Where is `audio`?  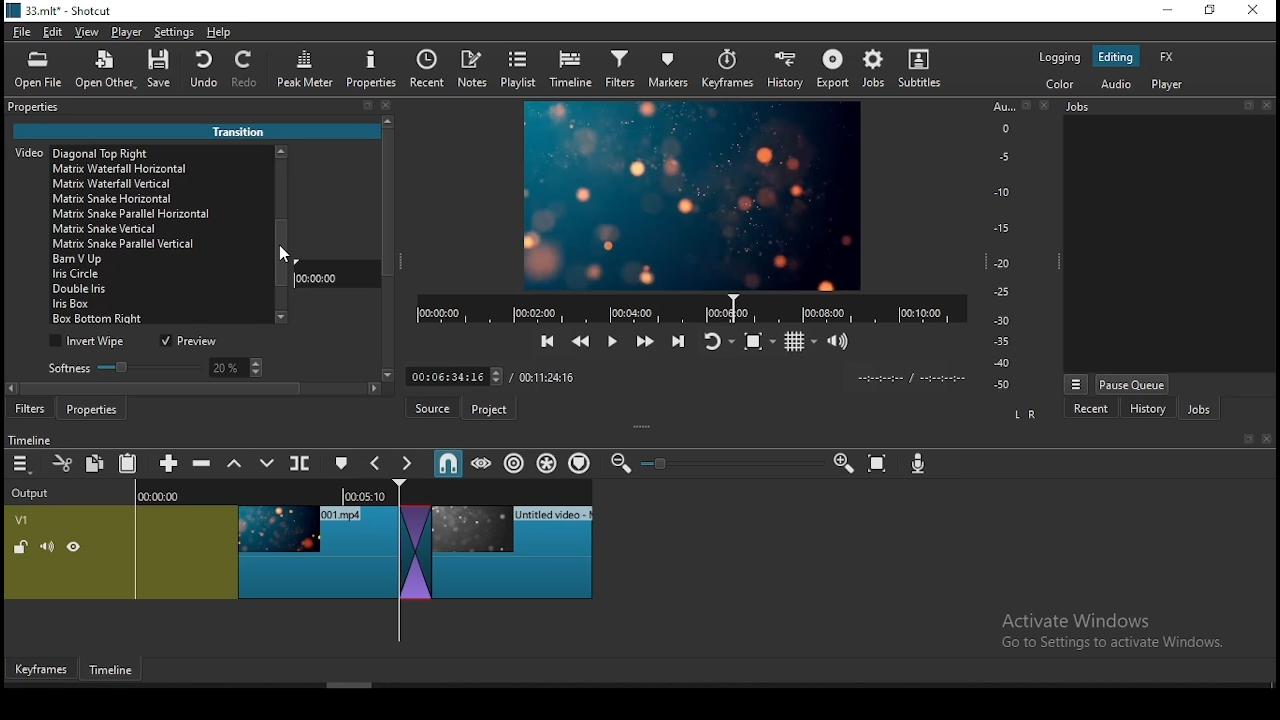 audio is located at coordinates (1117, 84).